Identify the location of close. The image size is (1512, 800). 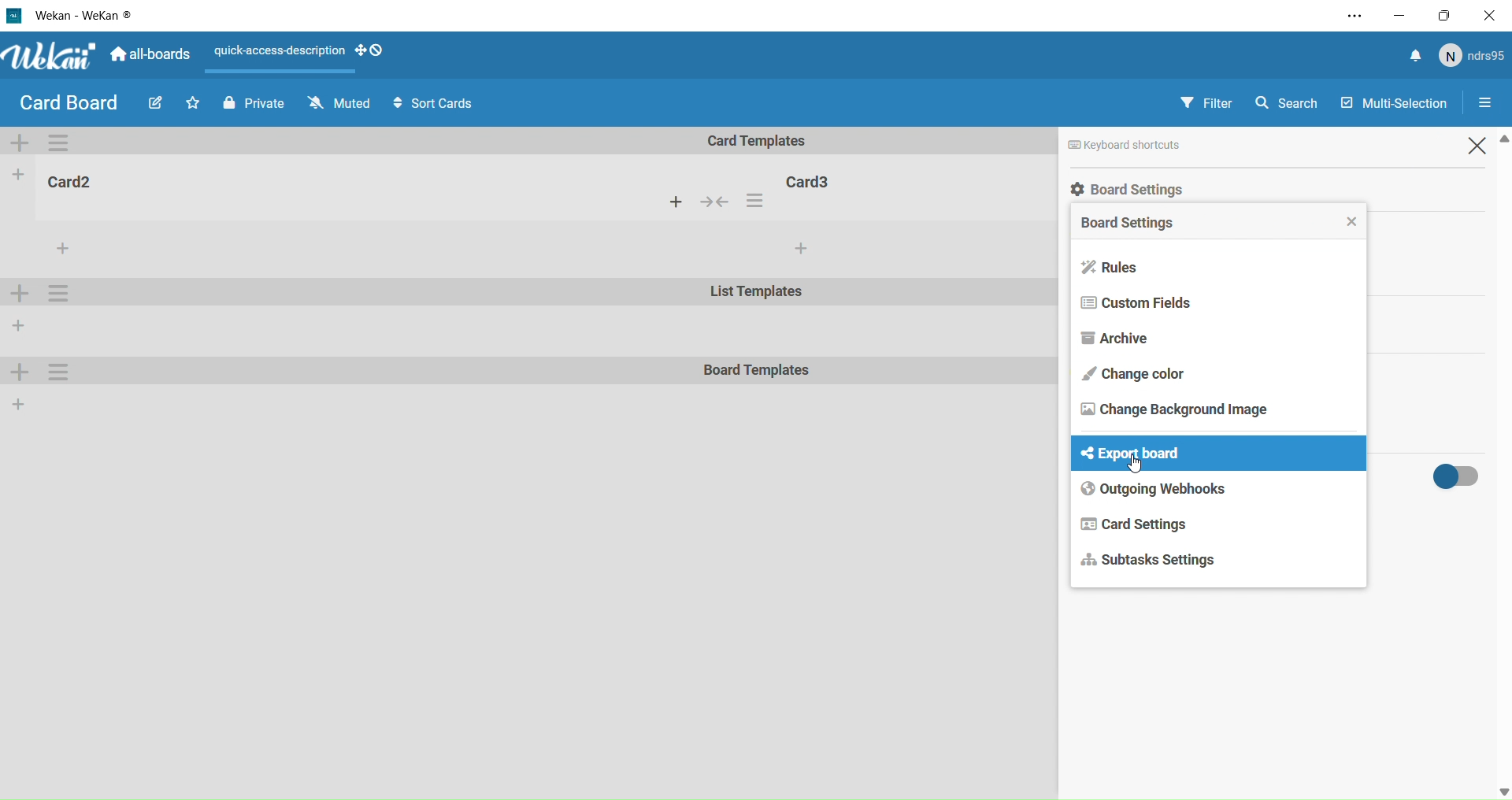
(1493, 15).